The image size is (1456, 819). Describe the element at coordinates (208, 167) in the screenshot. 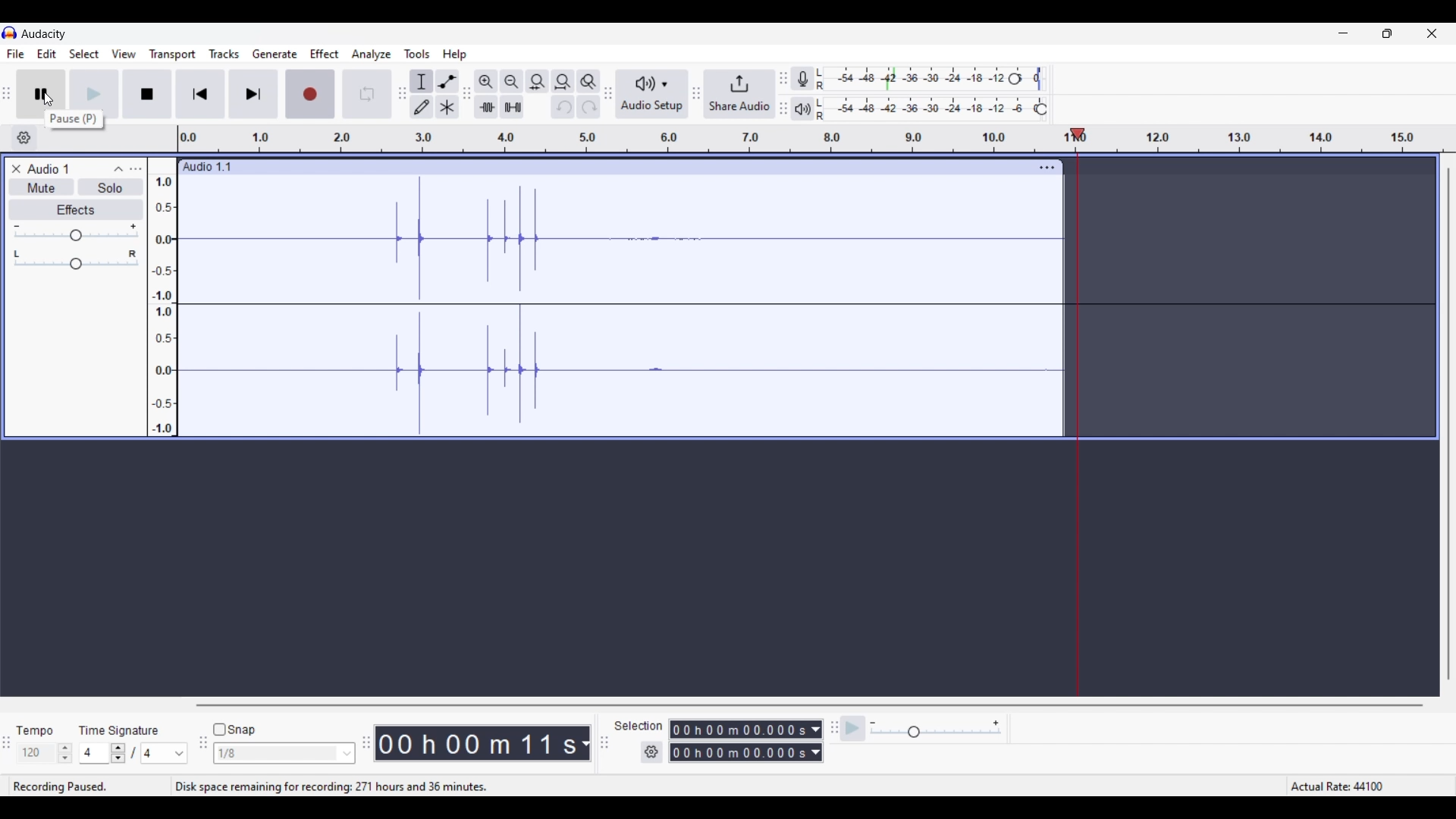

I see `Track name` at that location.